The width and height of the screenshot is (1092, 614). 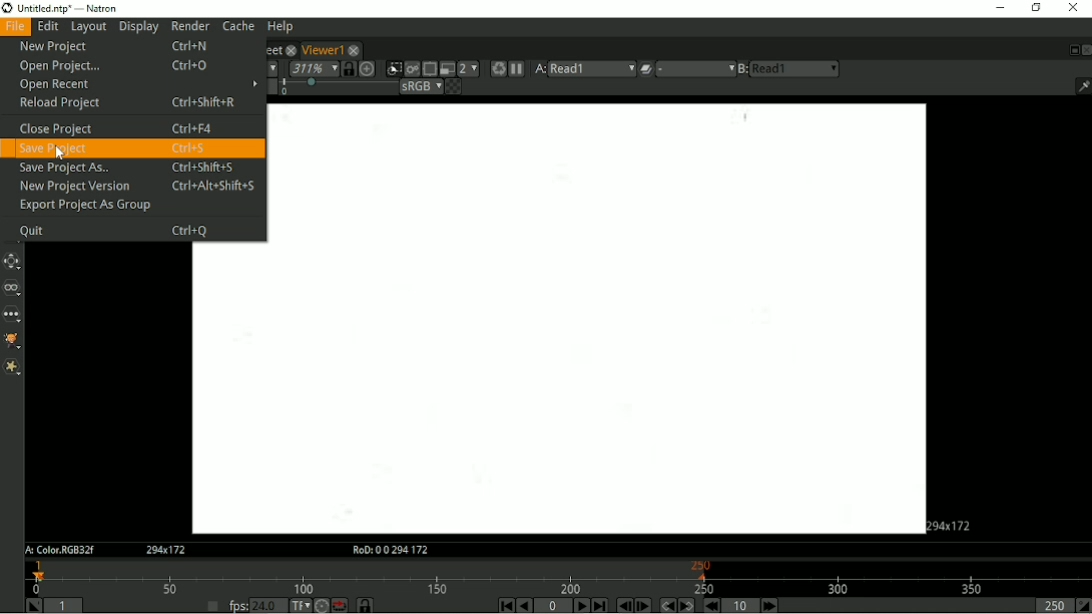 What do you see at coordinates (496, 69) in the screenshot?
I see `Forces a new render of the current frame` at bounding box center [496, 69].